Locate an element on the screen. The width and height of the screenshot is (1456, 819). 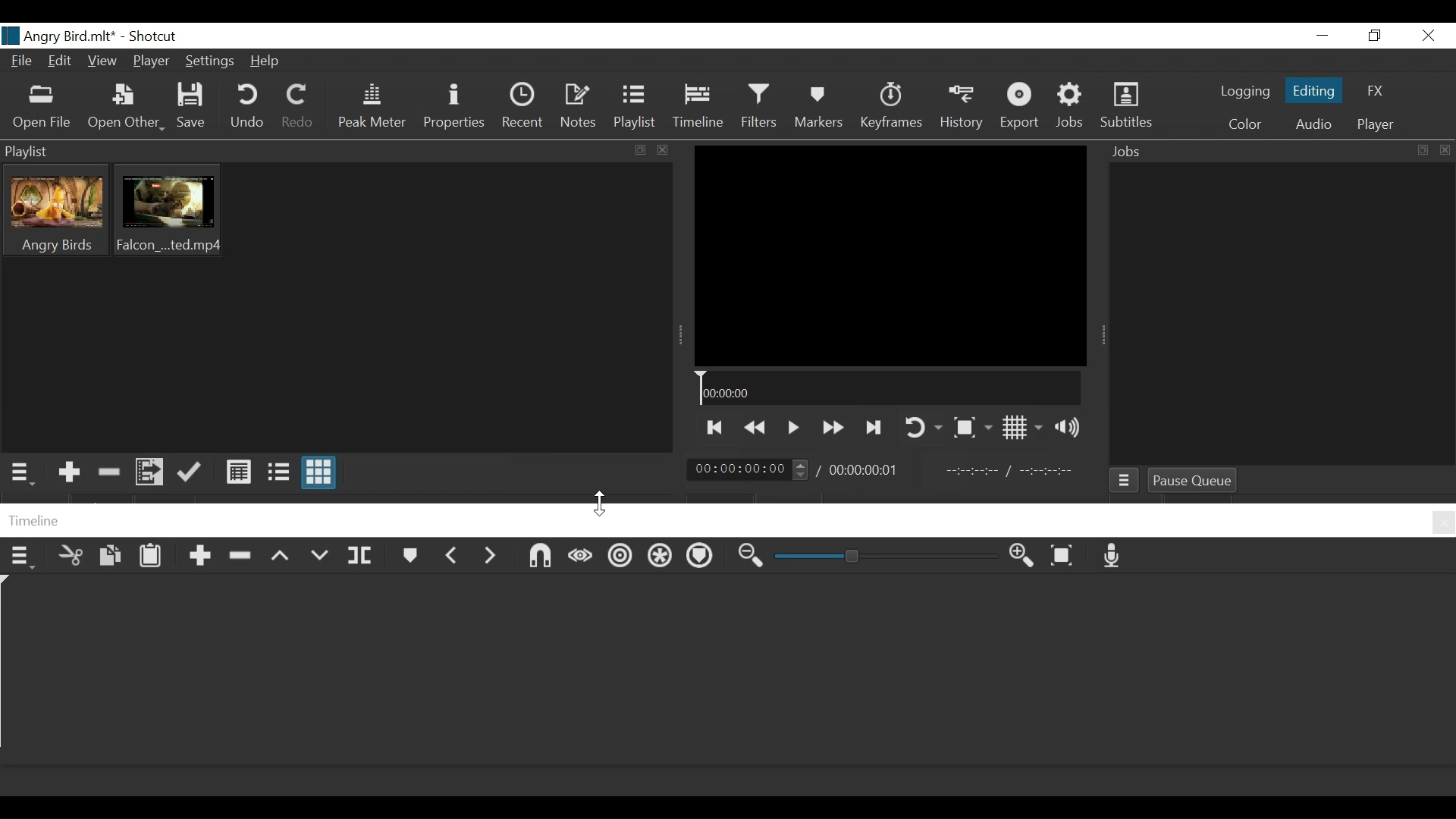
Previous marker is located at coordinates (453, 560).